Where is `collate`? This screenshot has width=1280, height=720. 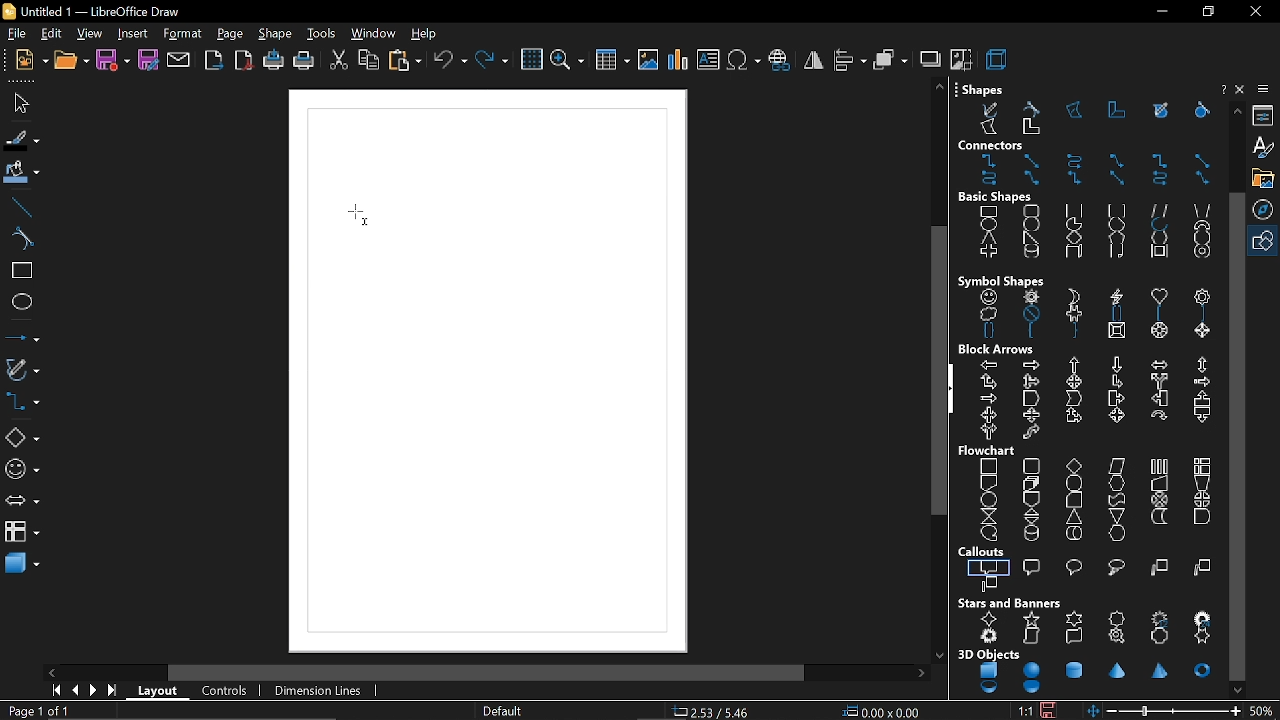
collate is located at coordinates (986, 516).